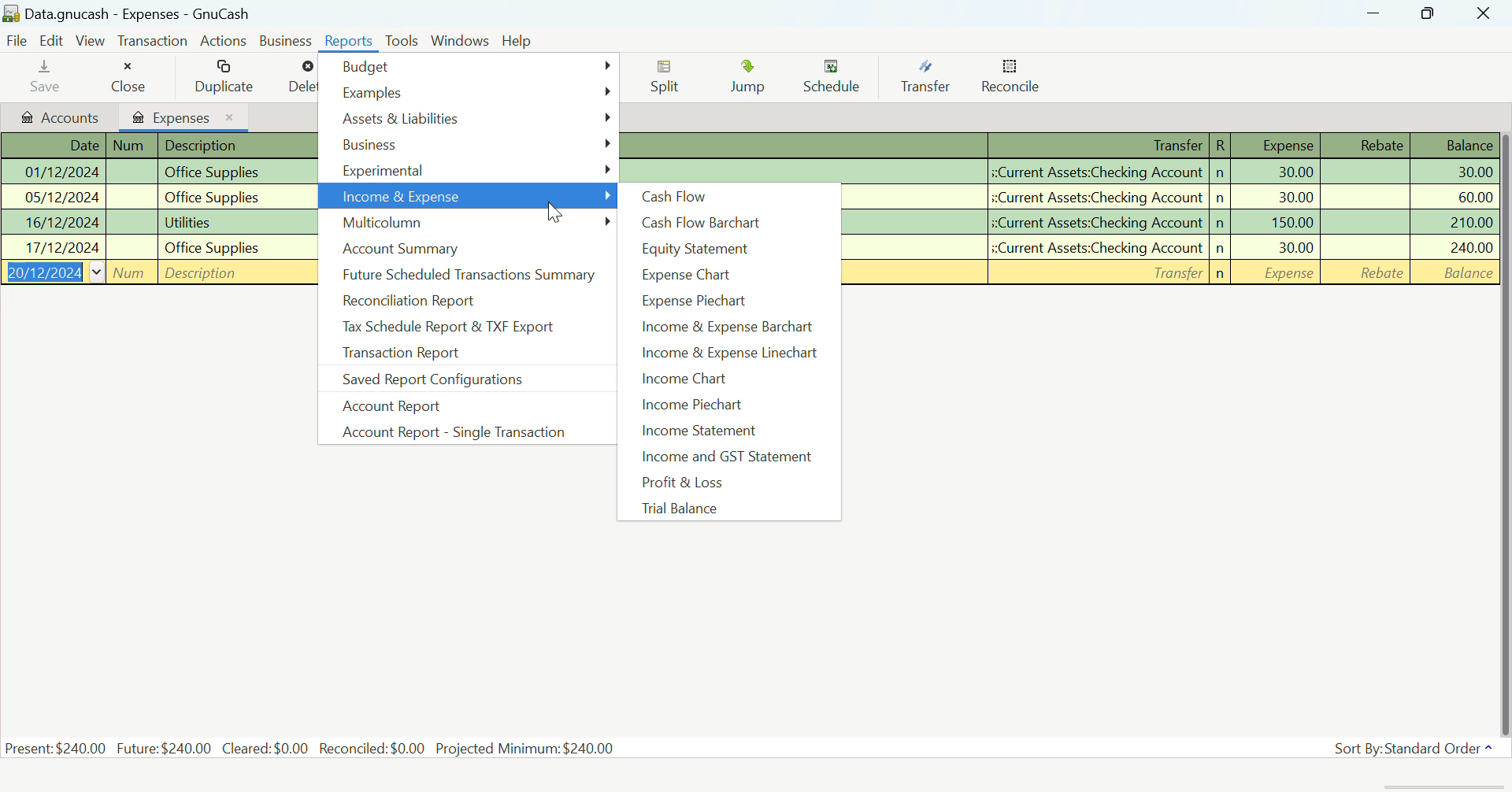 This screenshot has width=1512, height=792. Describe the element at coordinates (1168, 273) in the screenshot. I see `New Transaction Field` at that location.